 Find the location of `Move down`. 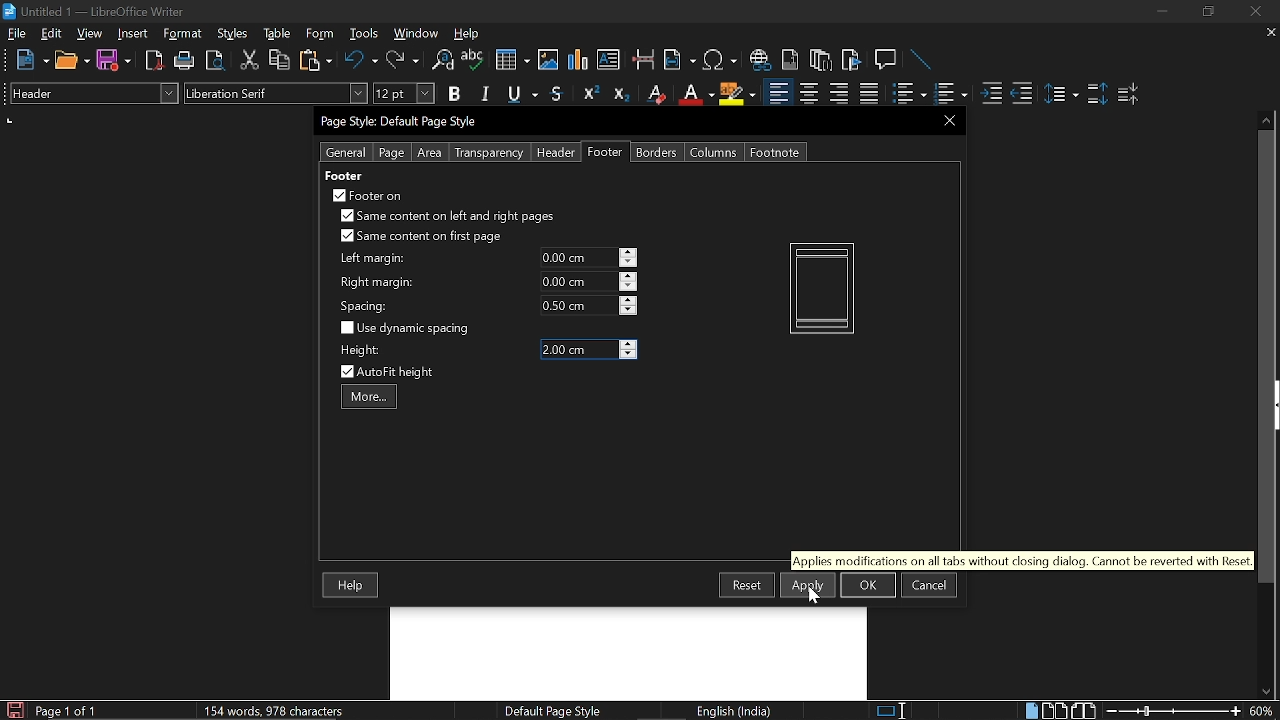

Move down is located at coordinates (1265, 692).